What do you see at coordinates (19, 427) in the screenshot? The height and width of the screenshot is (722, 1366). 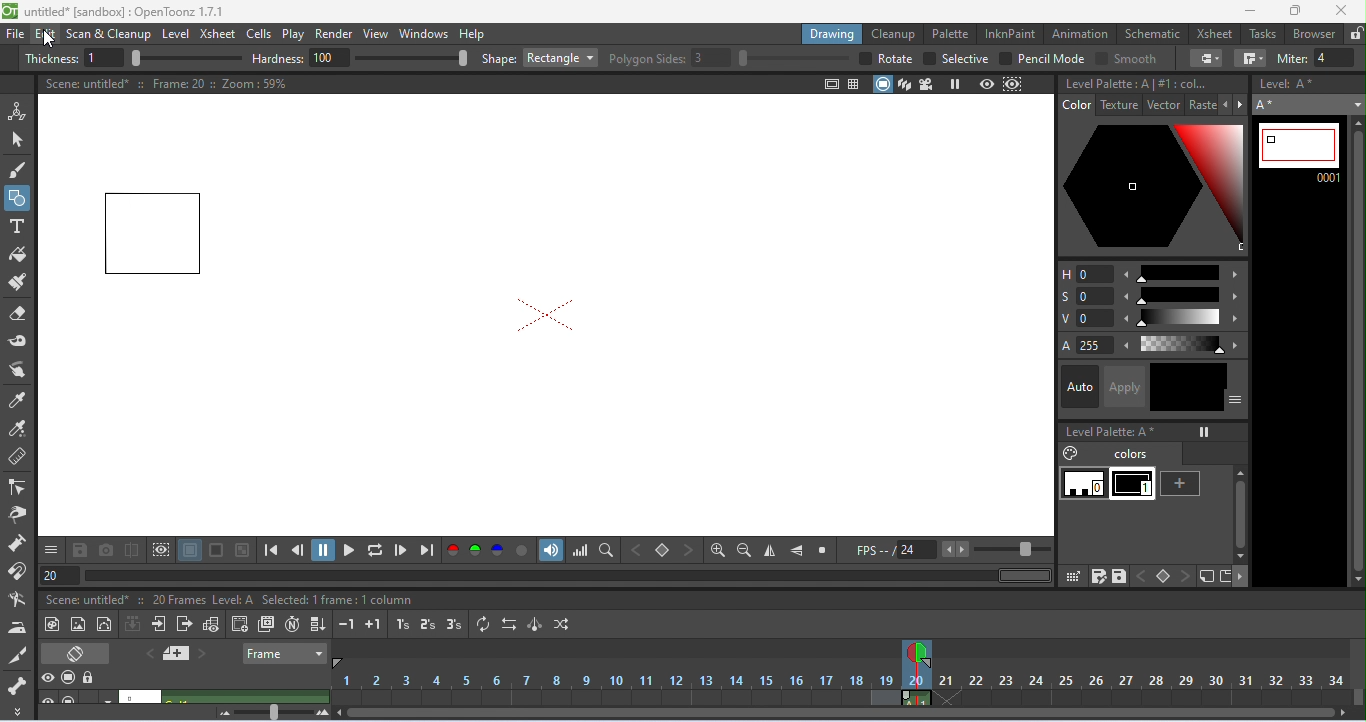 I see `RGB picker` at bounding box center [19, 427].